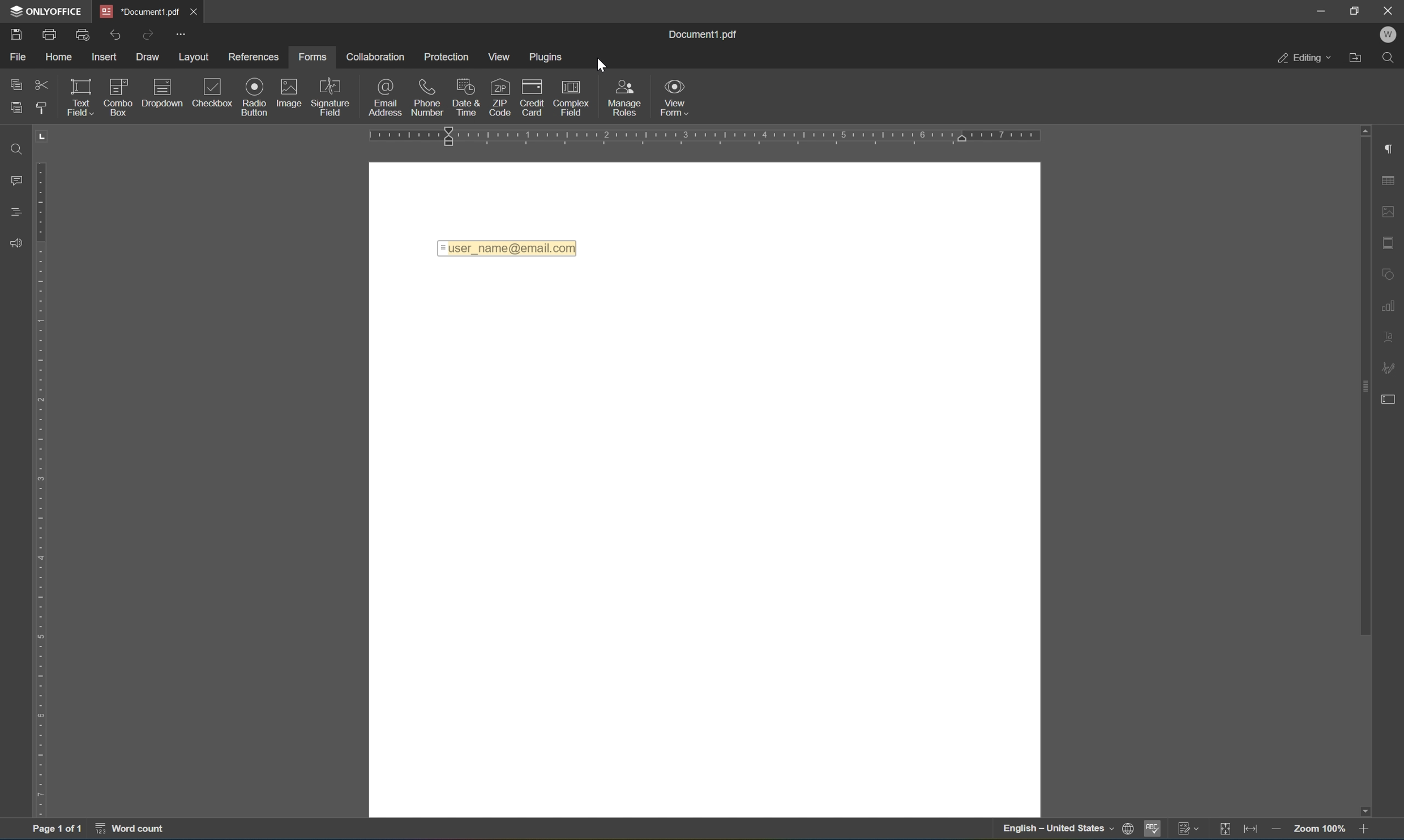 The width and height of the screenshot is (1404, 840). I want to click on W, so click(1391, 32).